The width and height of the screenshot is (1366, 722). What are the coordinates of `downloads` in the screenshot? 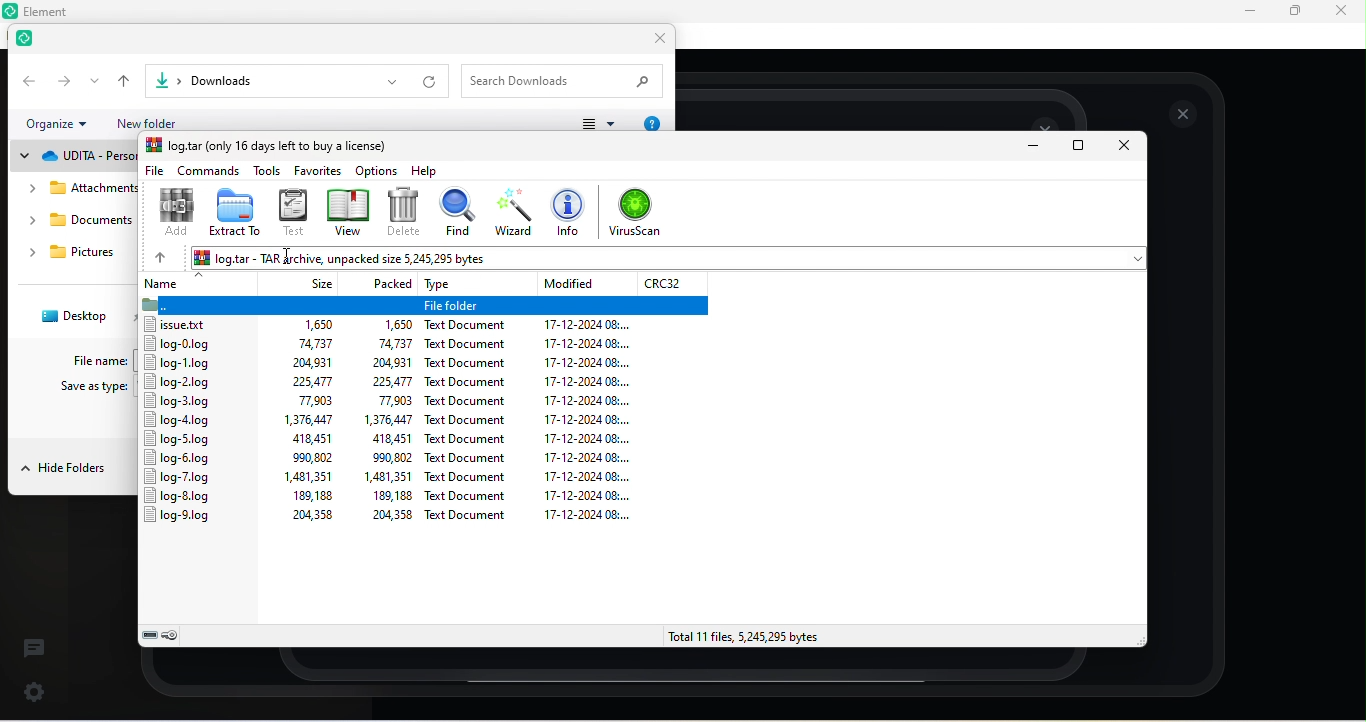 It's located at (82, 224).